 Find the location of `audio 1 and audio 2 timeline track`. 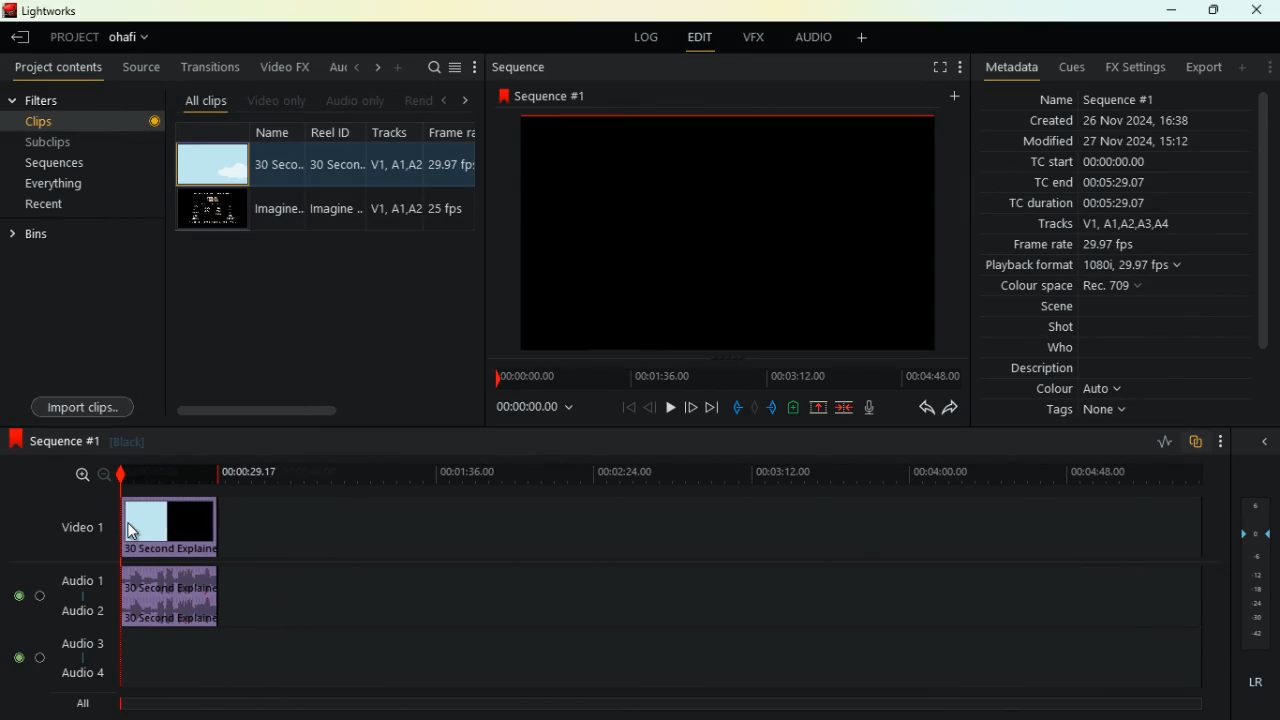

audio 1 and audio 2 timeline track is located at coordinates (715, 596).